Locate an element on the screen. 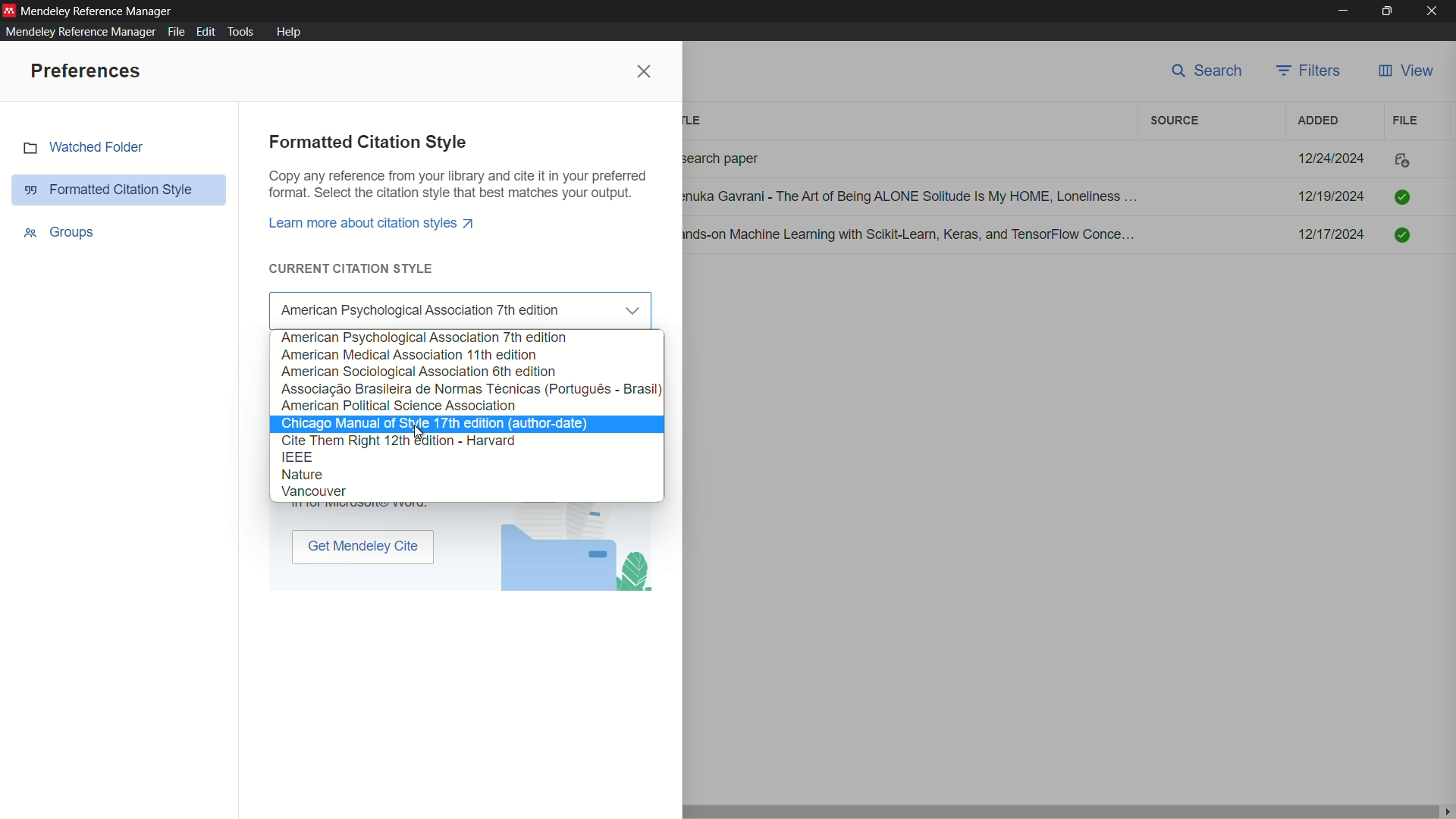 The width and height of the screenshot is (1456, 819). groups is located at coordinates (58, 233).